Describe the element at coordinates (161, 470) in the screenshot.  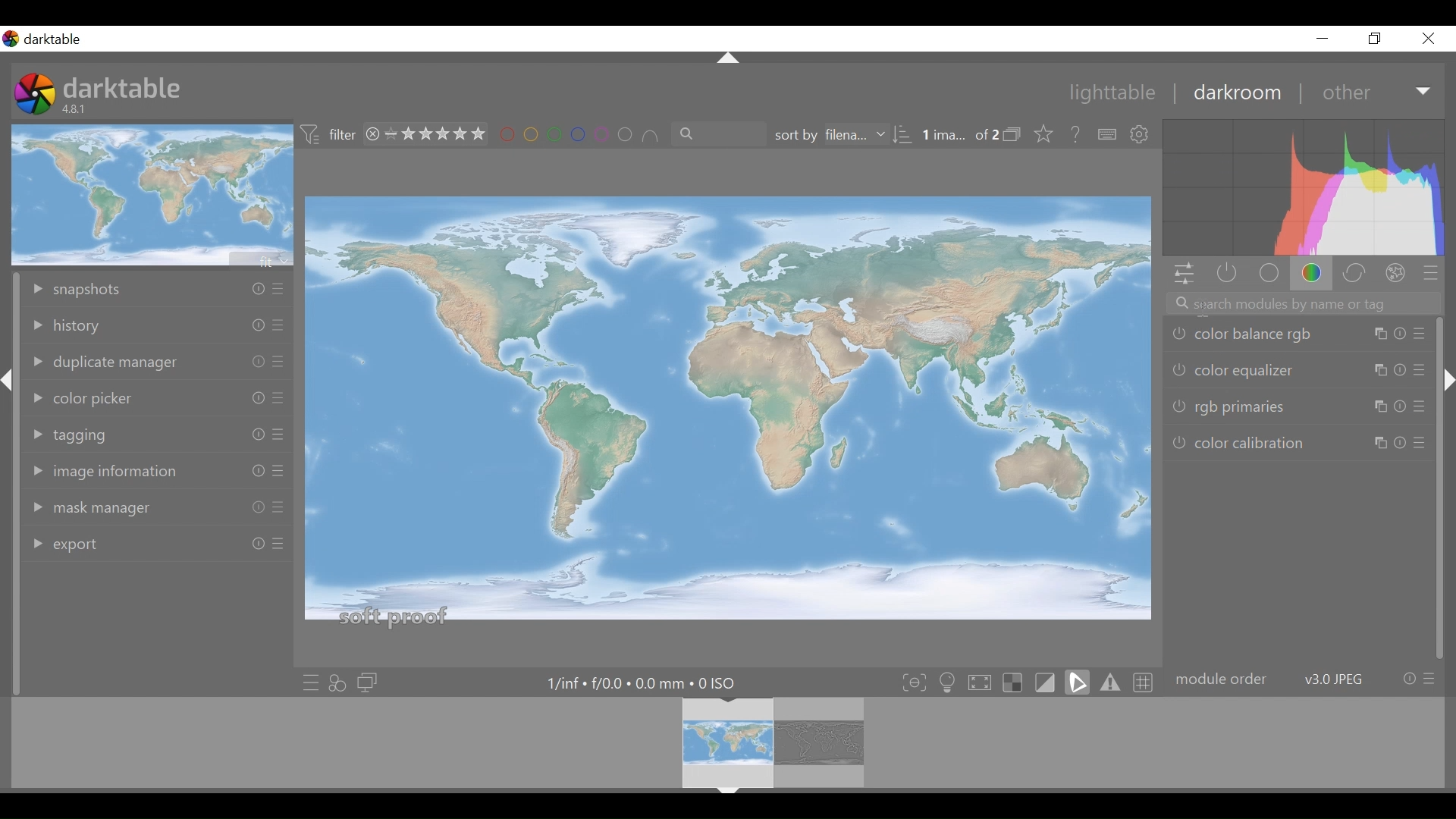
I see `image information` at that location.